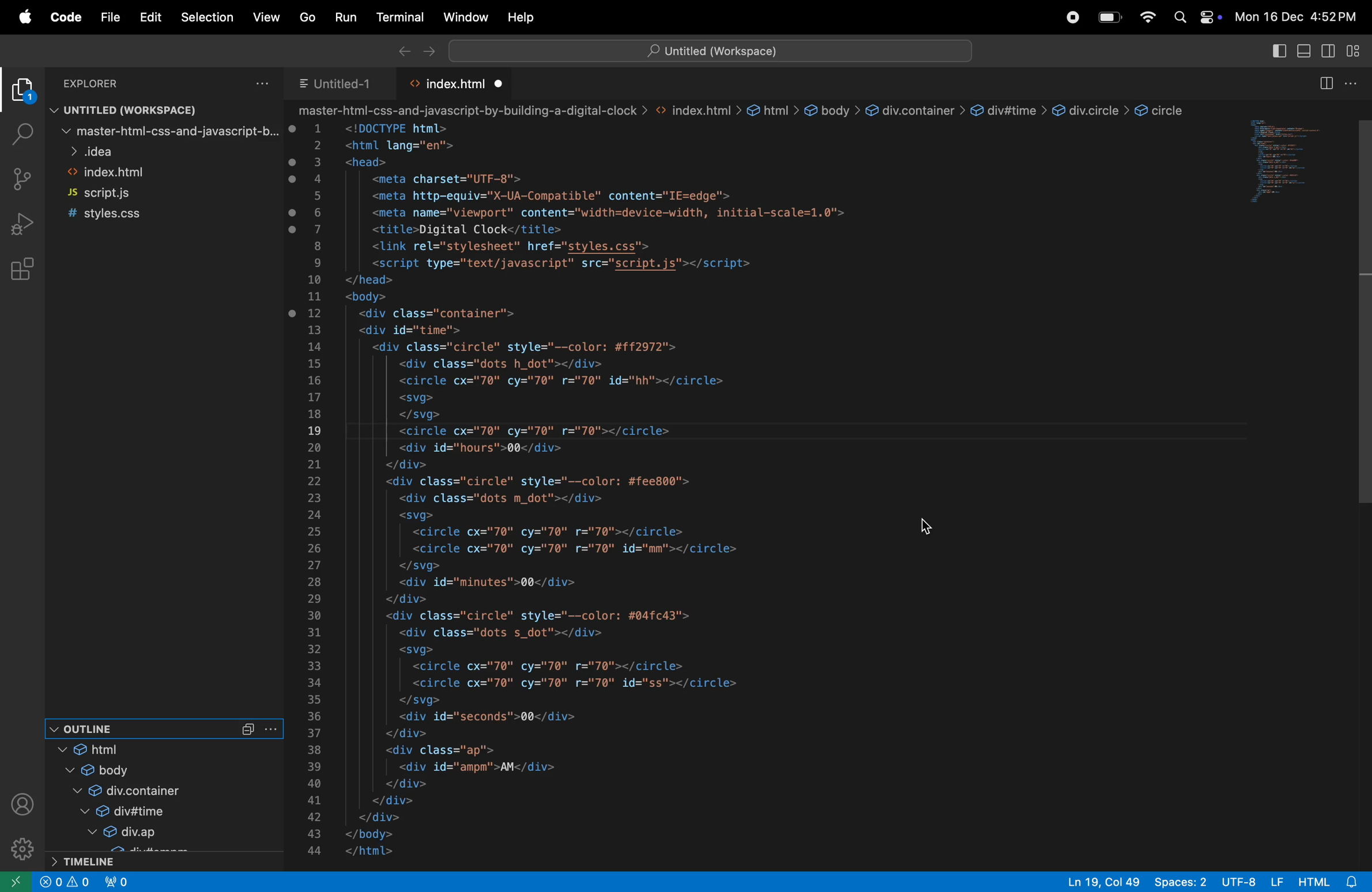 The width and height of the screenshot is (1372, 892). Describe the element at coordinates (252, 84) in the screenshot. I see `options` at that location.